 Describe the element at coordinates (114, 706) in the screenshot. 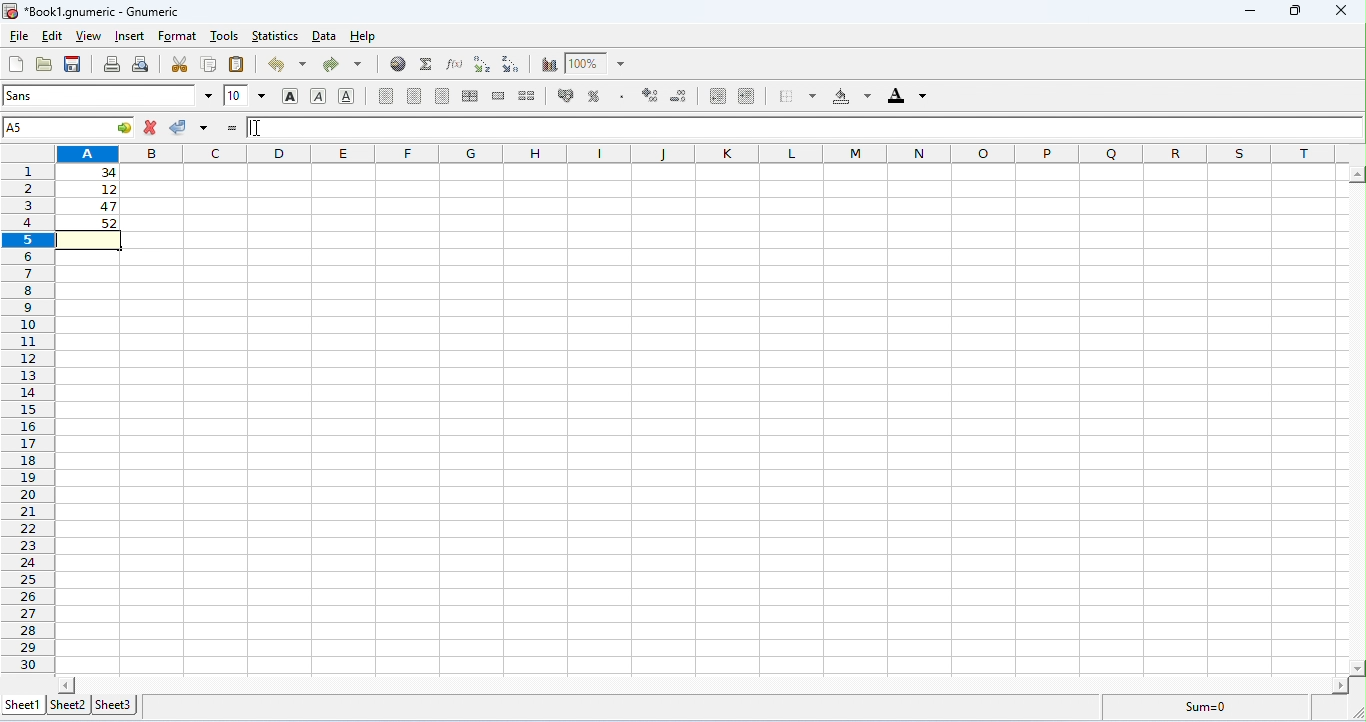

I see `sheet3` at that location.